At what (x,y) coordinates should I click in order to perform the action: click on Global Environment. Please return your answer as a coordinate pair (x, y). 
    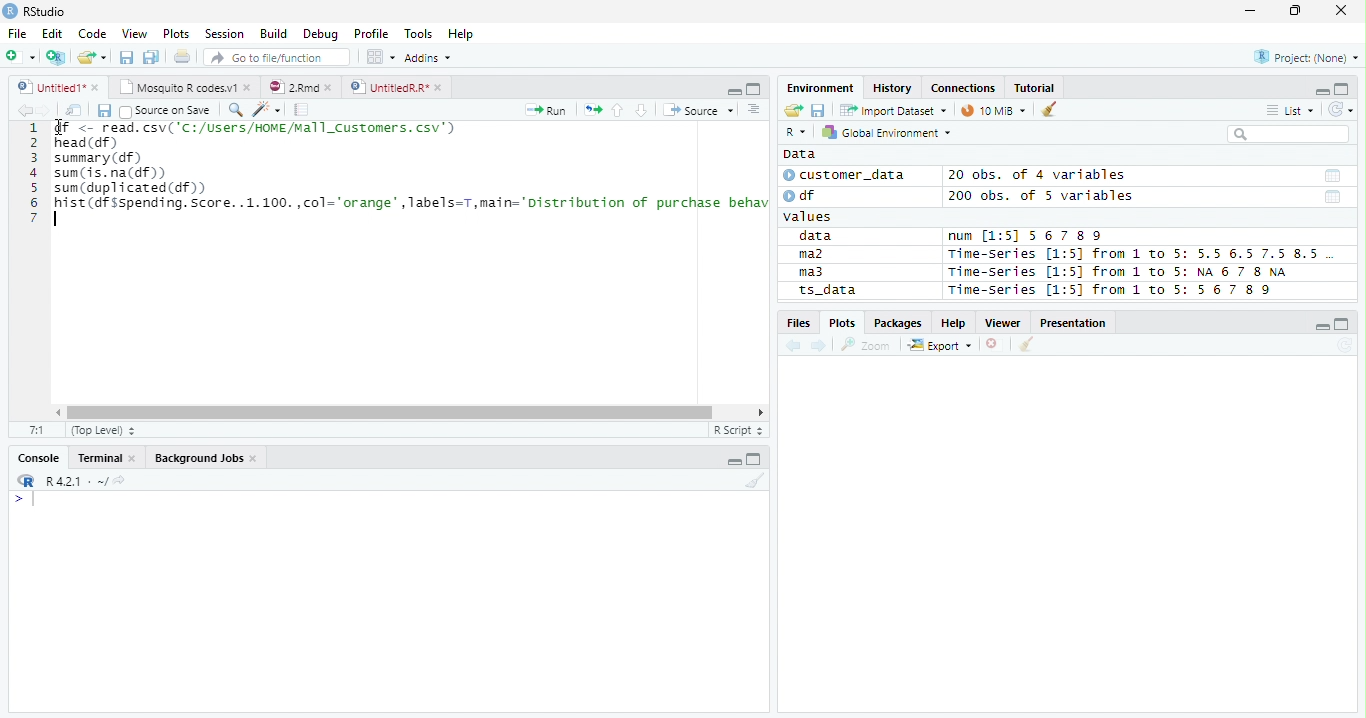
    Looking at the image, I should click on (887, 132).